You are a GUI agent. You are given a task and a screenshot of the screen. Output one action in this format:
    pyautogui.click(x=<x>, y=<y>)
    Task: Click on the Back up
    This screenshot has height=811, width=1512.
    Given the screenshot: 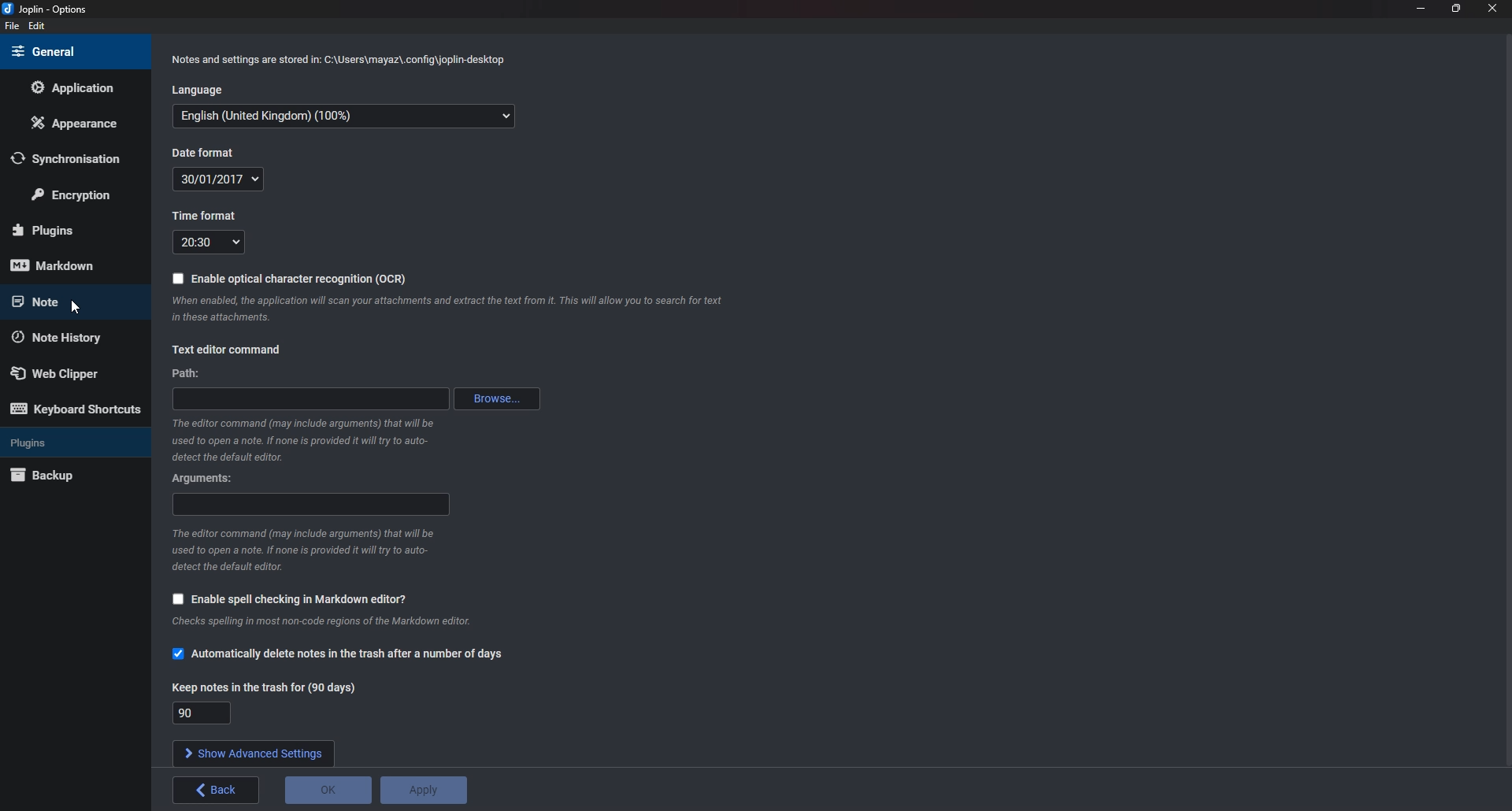 What is the action you would take?
    pyautogui.click(x=69, y=474)
    